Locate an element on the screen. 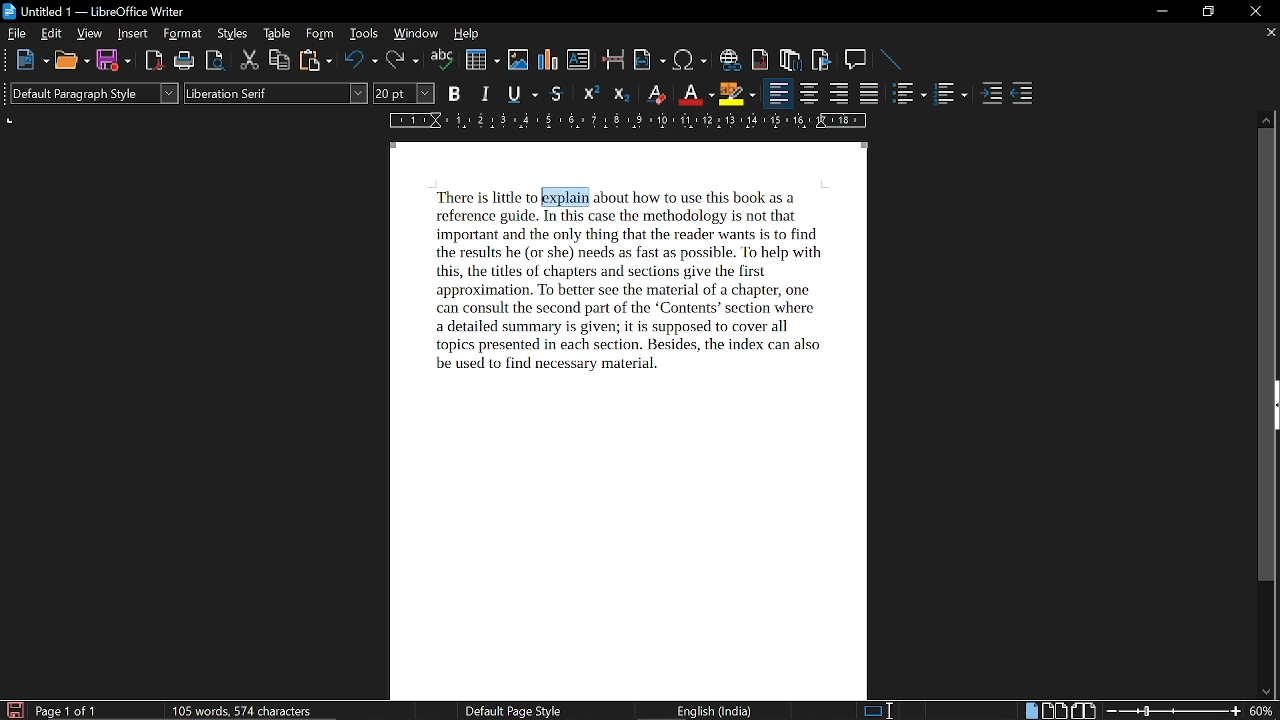 The height and width of the screenshot is (720, 1280). open is located at coordinates (71, 61).